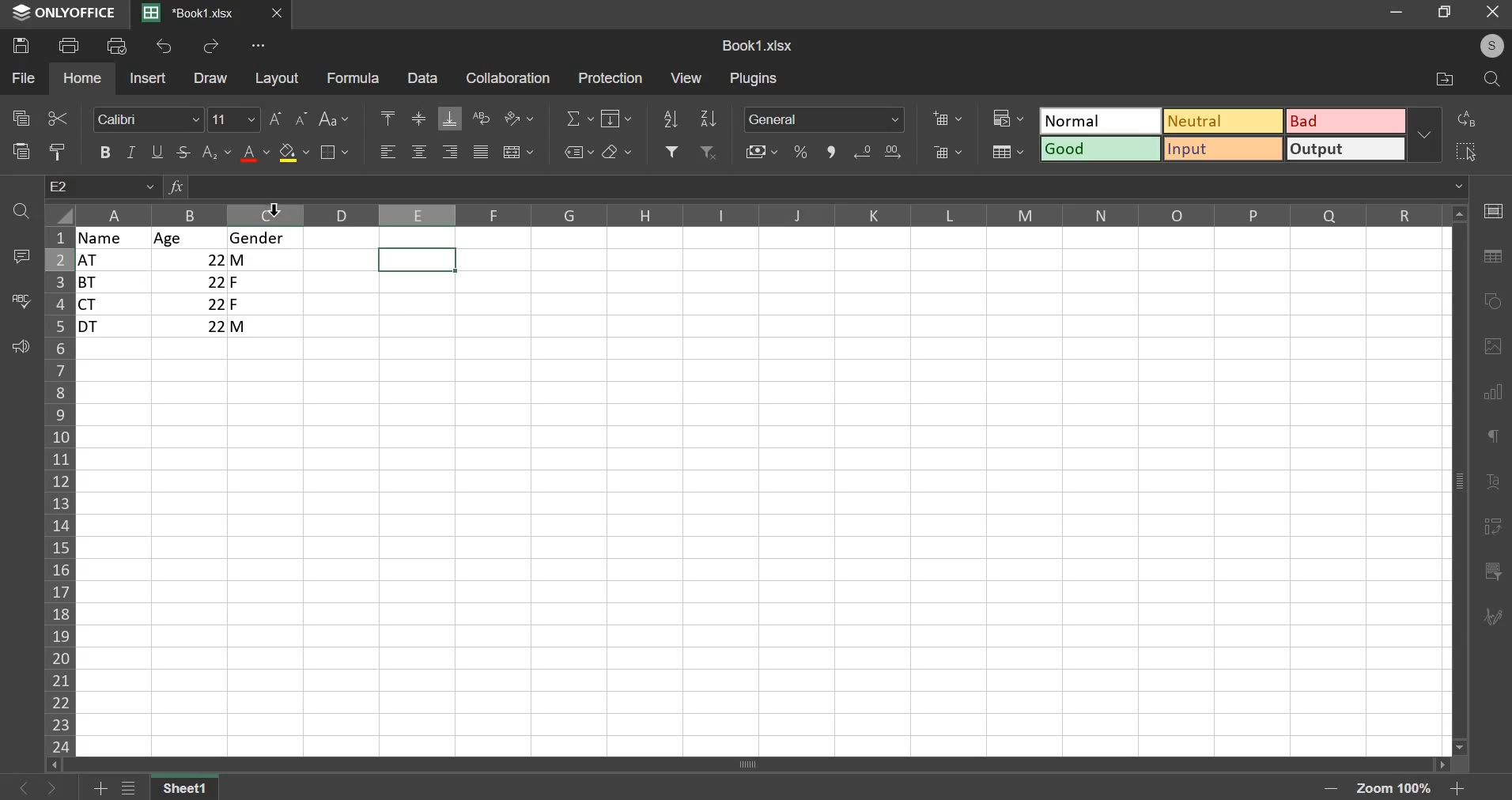 This screenshot has height=800, width=1512. What do you see at coordinates (115, 304) in the screenshot?
I see `ct` at bounding box center [115, 304].